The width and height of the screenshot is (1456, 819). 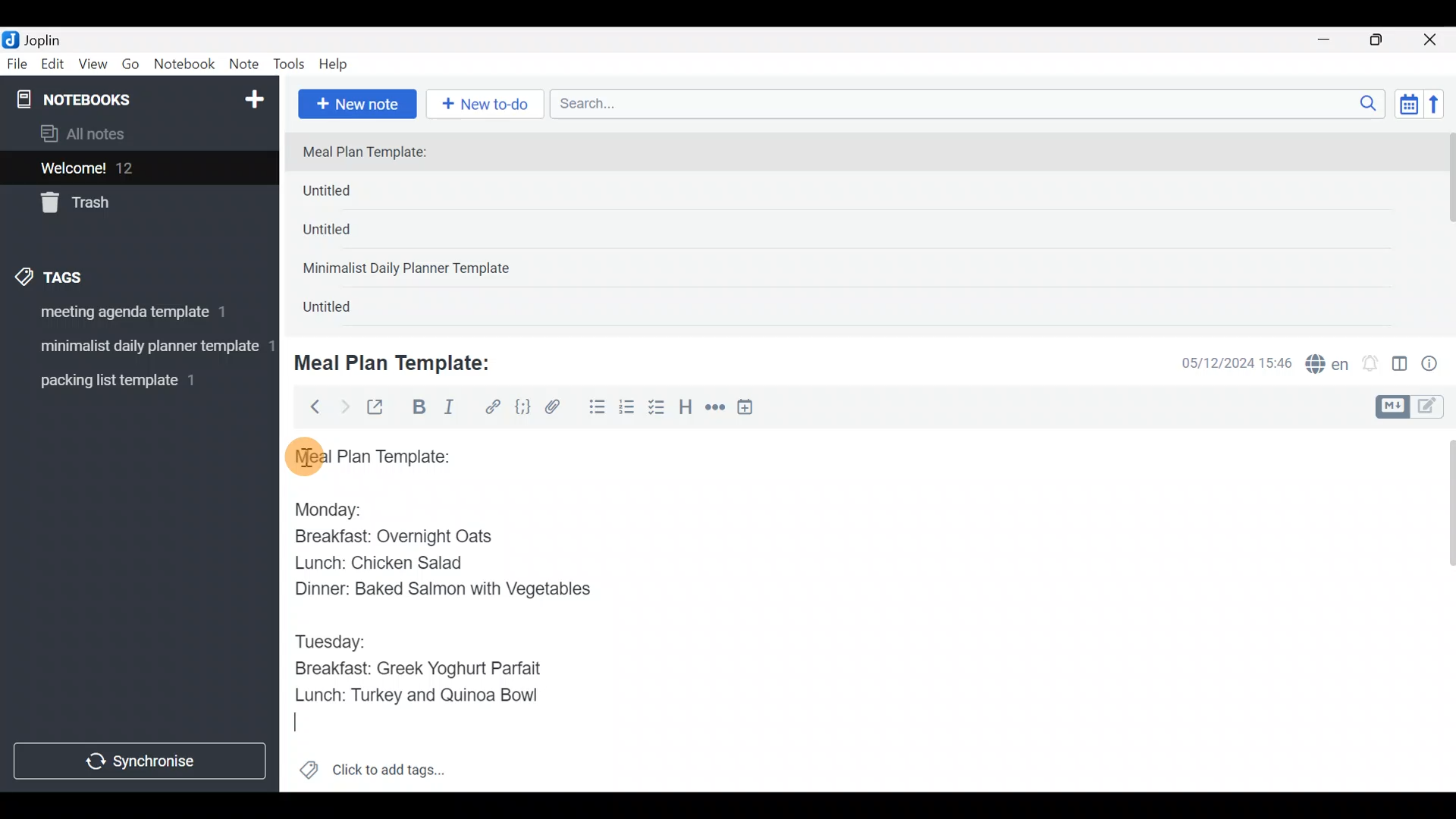 What do you see at coordinates (1328, 366) in the screenshot?
I see `Spelling` at bounding box center [1328, 366].